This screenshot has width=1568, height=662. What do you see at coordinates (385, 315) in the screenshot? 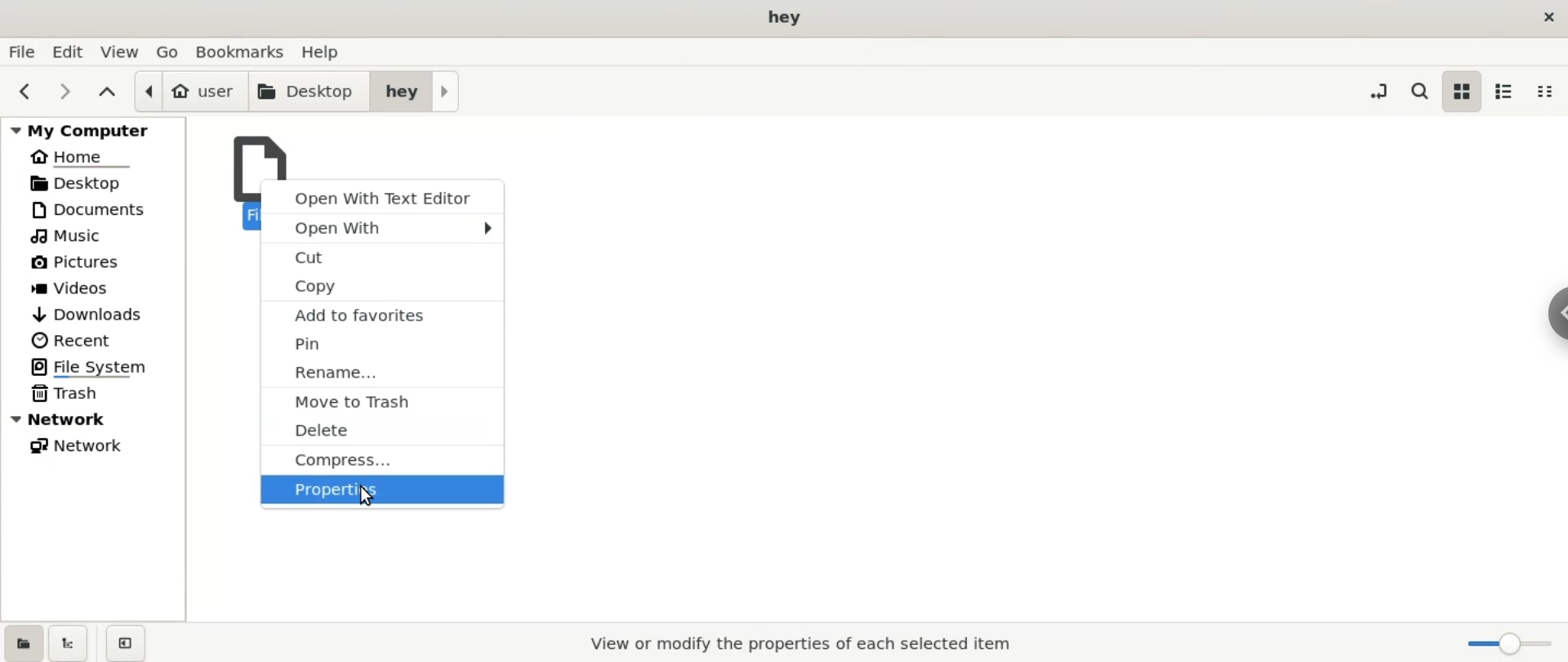
I see `add to favourites` at bounding box center [385, 315].